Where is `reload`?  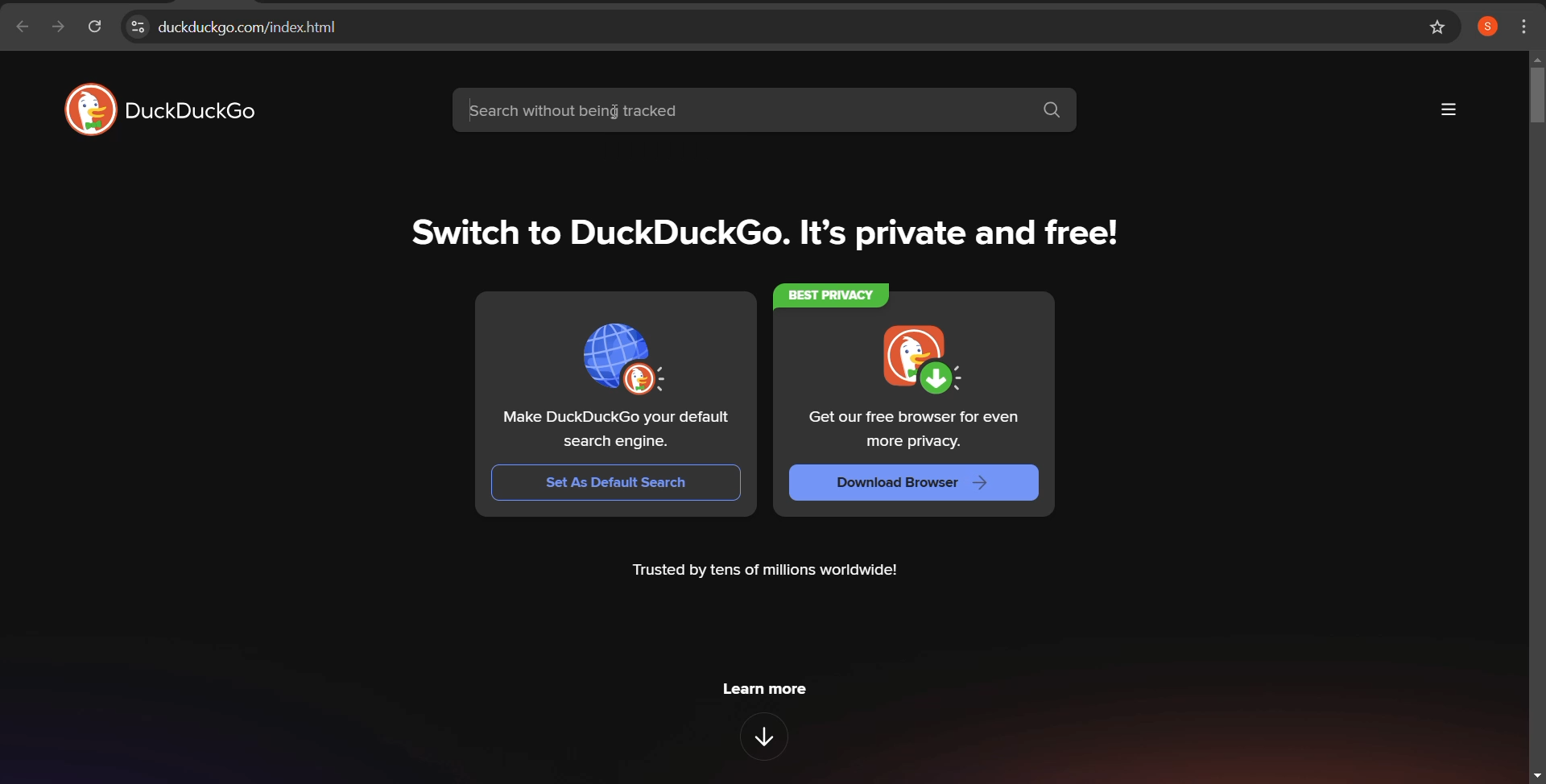
reload is located at coordinates (94, 29).